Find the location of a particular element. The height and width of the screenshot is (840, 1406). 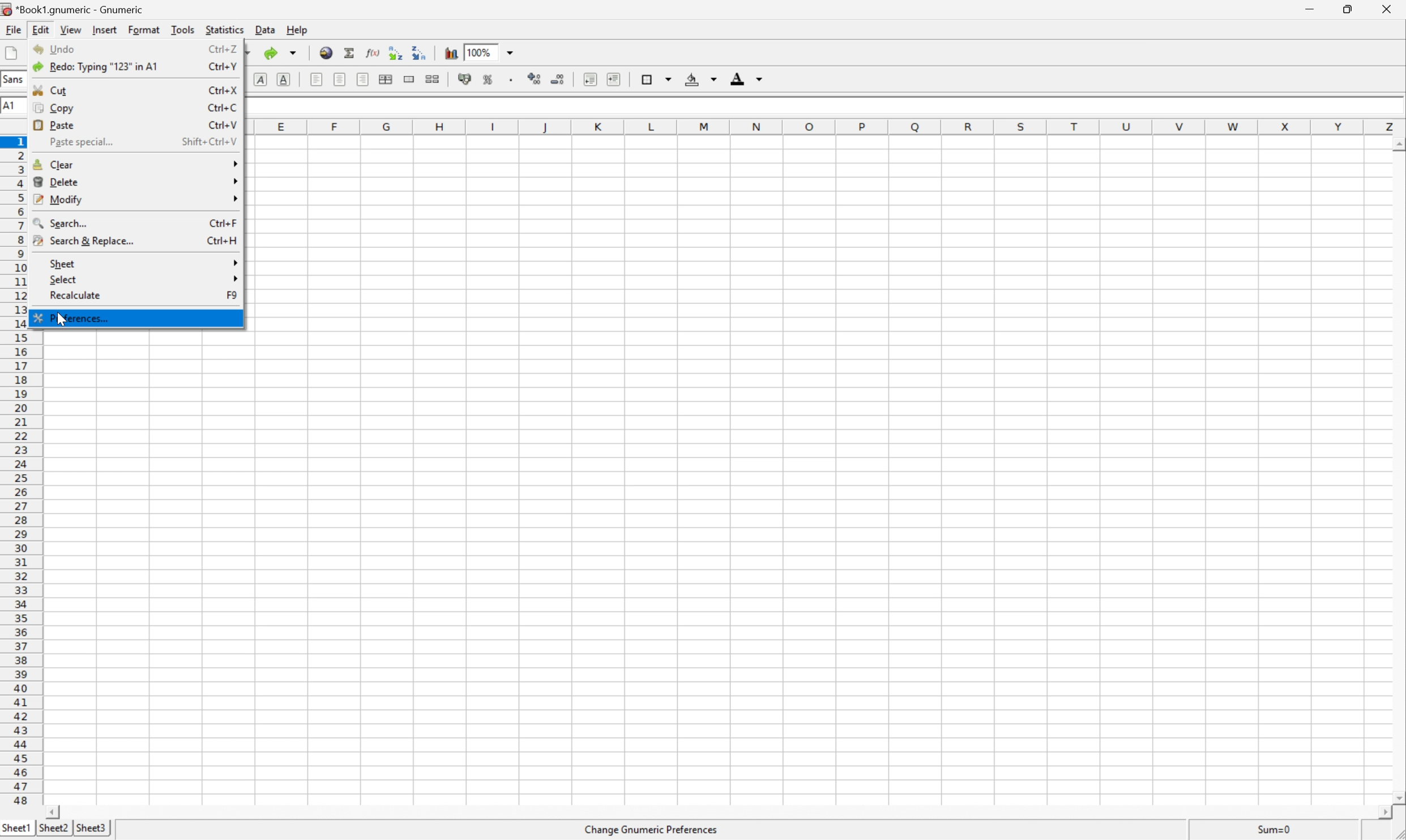

change gnumeric preferences is located at coordinates (656, 830).